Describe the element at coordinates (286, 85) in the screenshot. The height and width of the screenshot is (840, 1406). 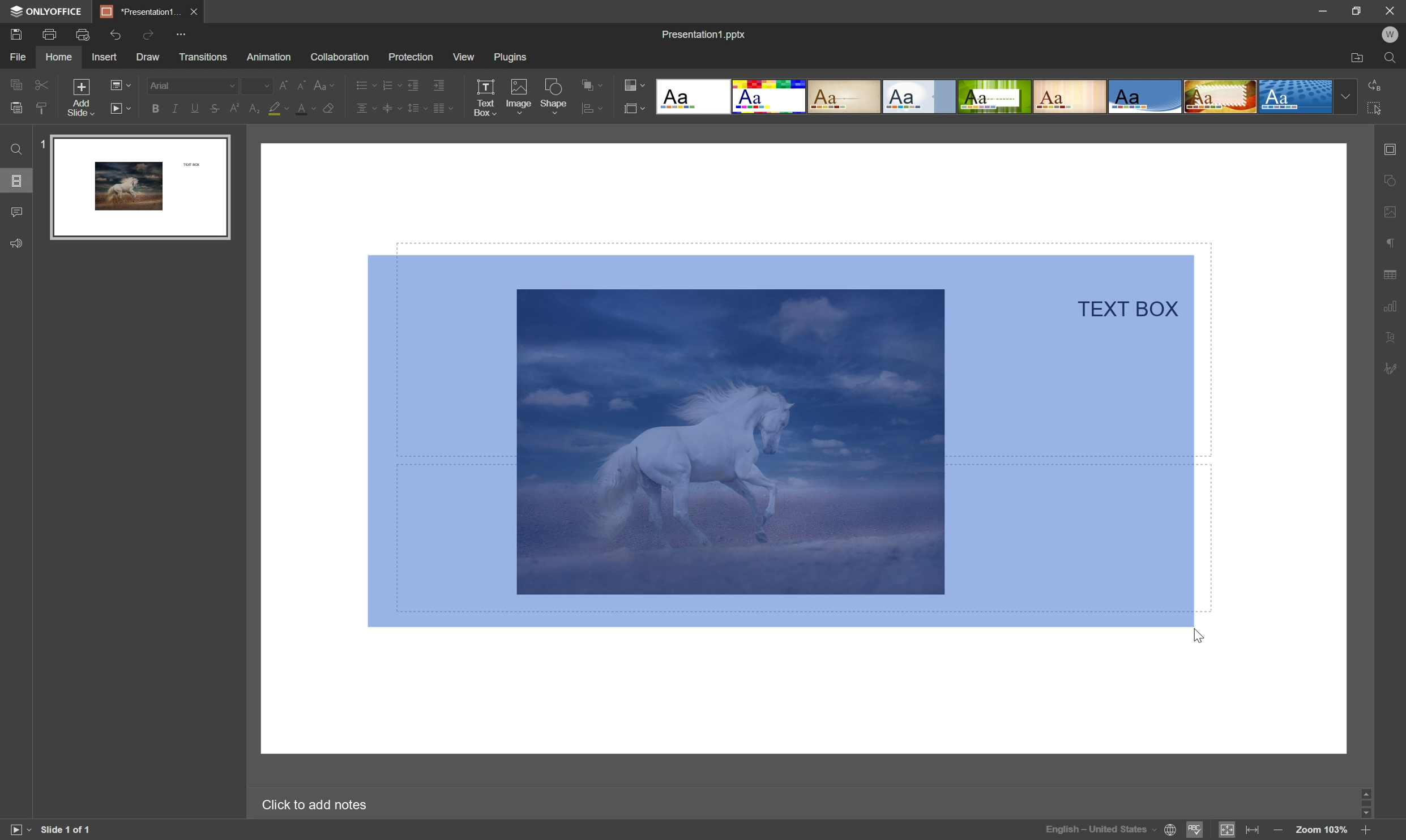
I see `increasement size` at that location.